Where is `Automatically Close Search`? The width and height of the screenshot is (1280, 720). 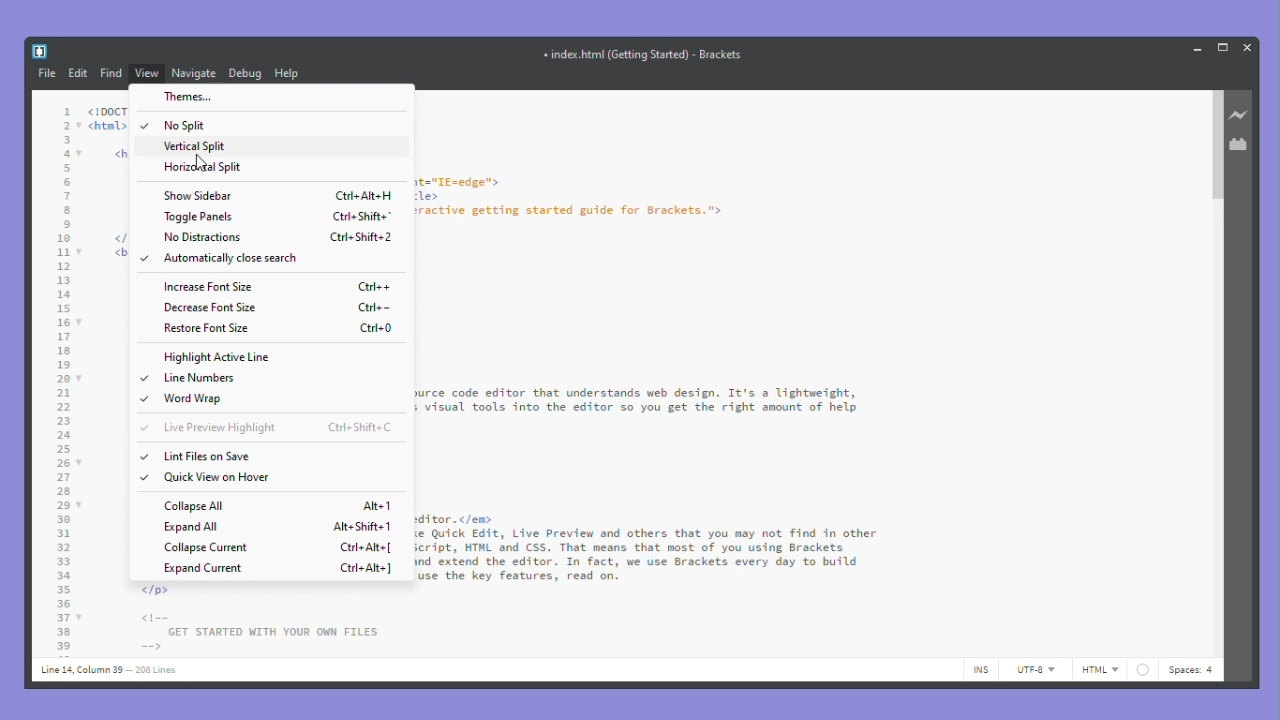 Automatically Close Search is located at coordinates (219, 260).